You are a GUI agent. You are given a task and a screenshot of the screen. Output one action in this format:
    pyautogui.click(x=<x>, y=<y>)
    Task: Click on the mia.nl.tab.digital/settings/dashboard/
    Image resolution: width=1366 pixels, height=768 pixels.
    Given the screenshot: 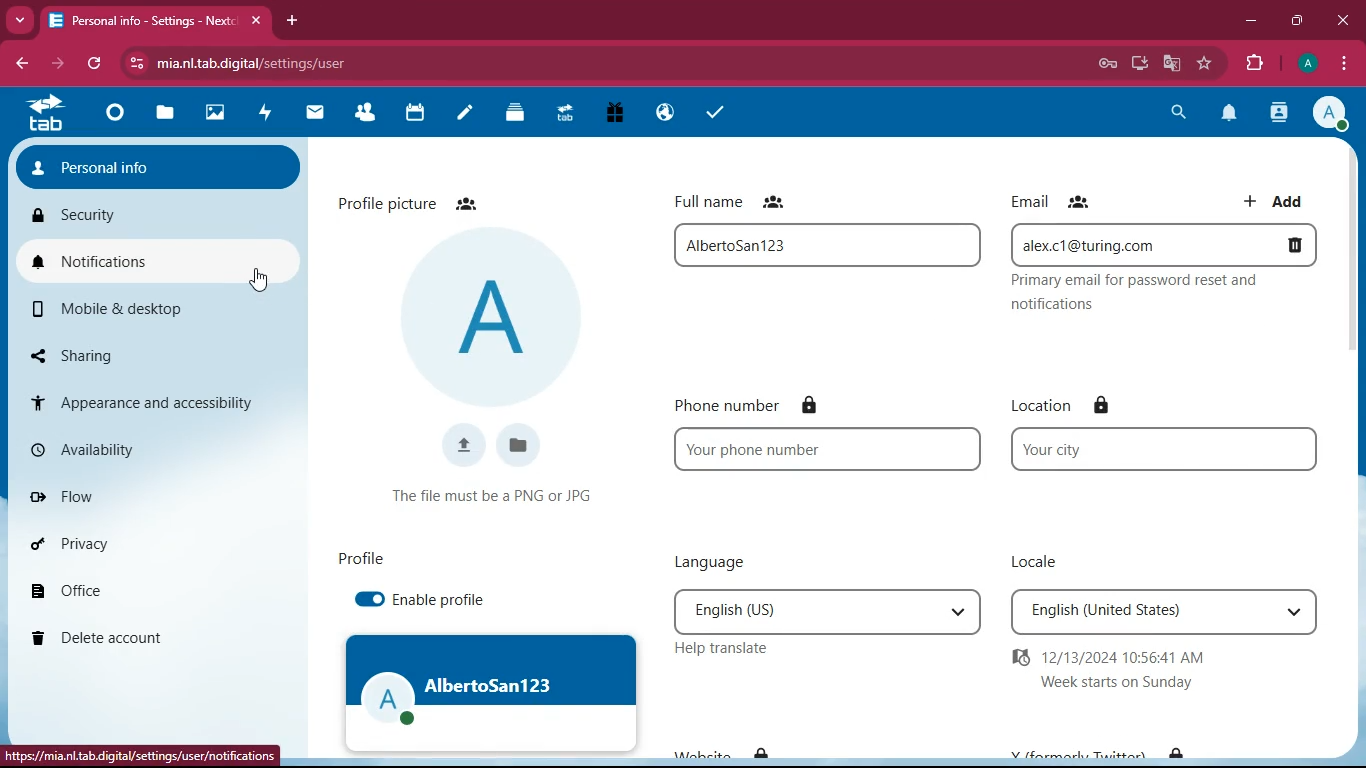 What is the action you would take?
    pyautogui.click(x=283, y=63)
    